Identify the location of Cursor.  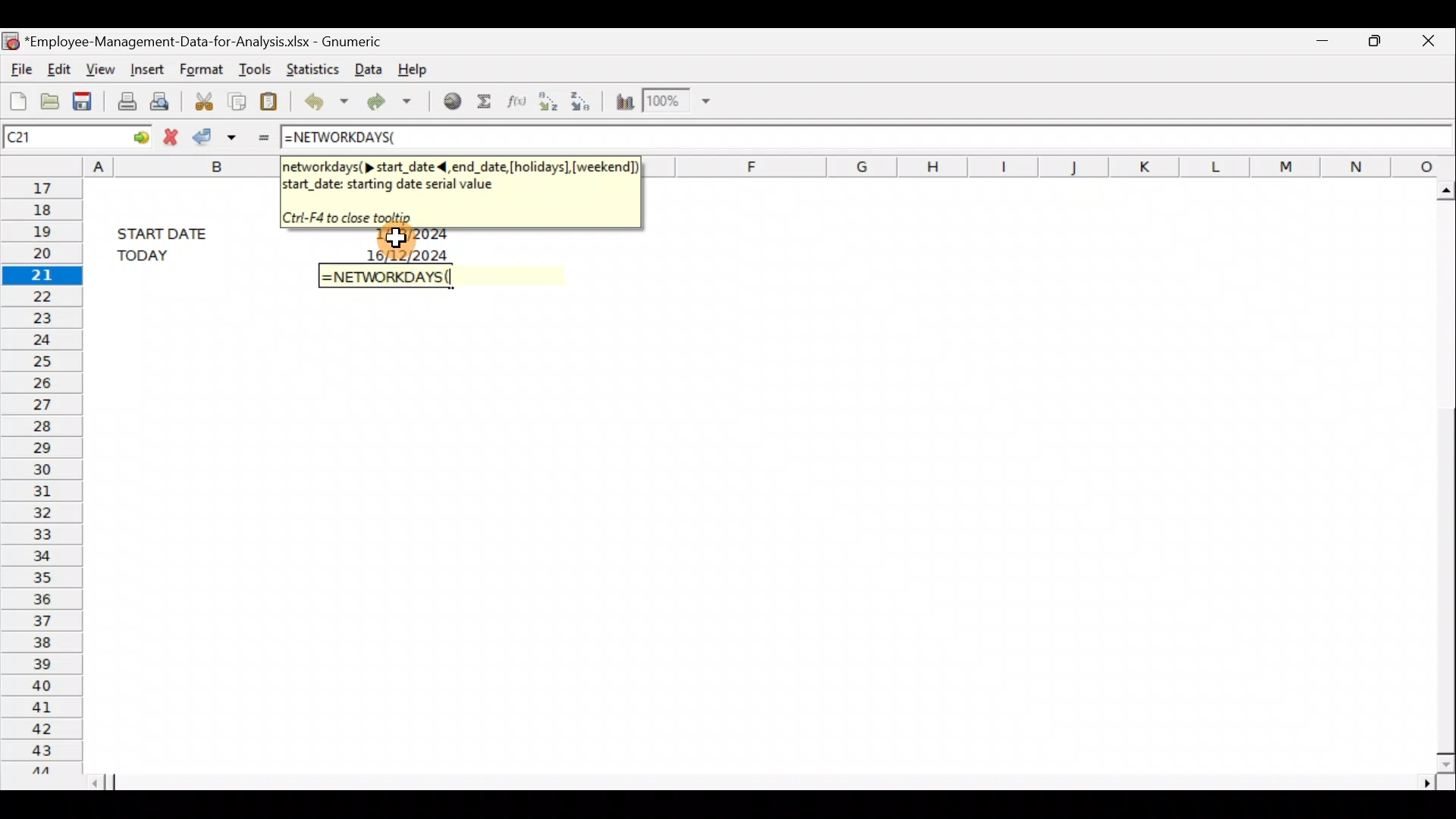
(411, 235).